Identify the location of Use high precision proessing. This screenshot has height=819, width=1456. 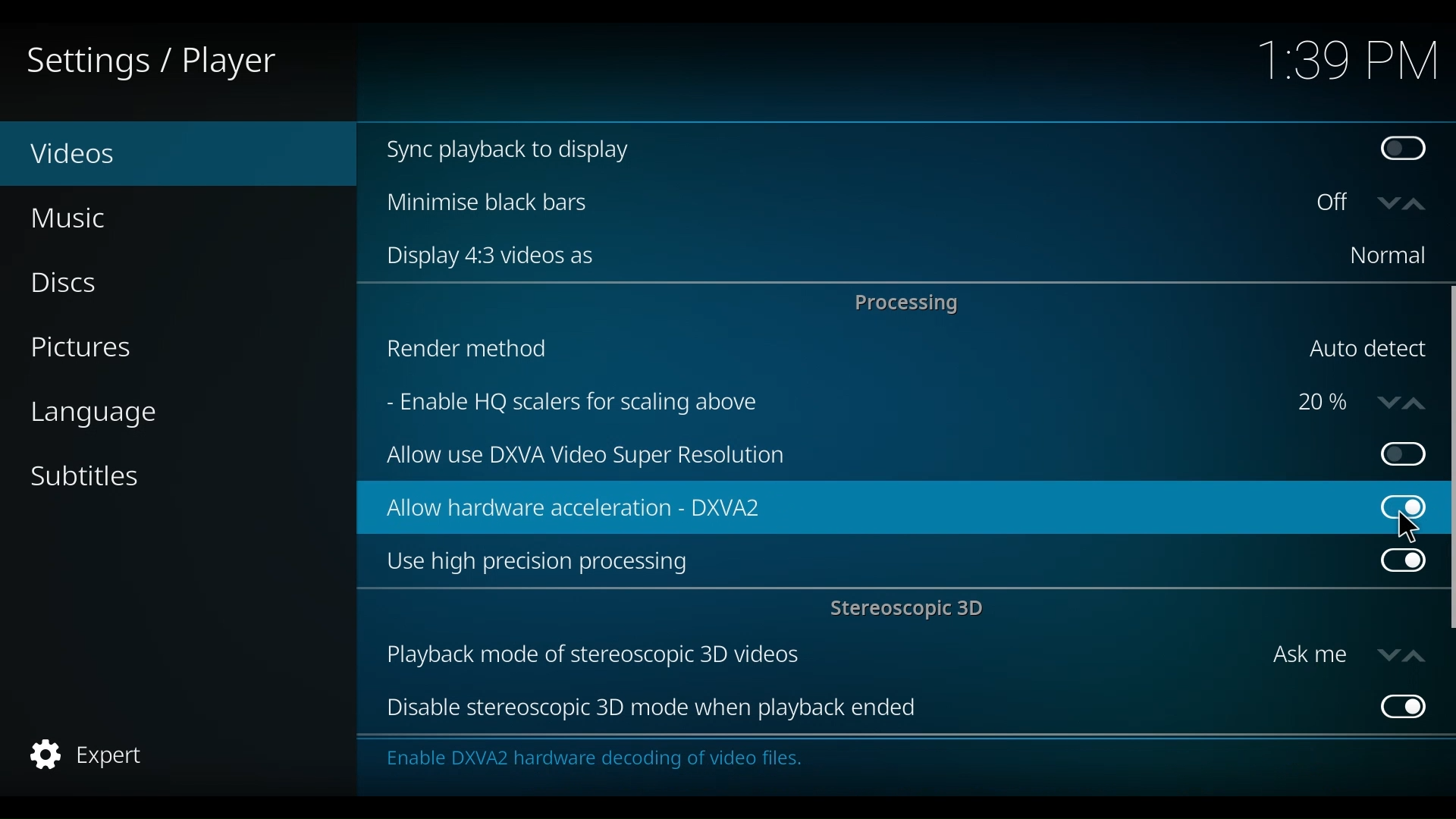
(872, 563).